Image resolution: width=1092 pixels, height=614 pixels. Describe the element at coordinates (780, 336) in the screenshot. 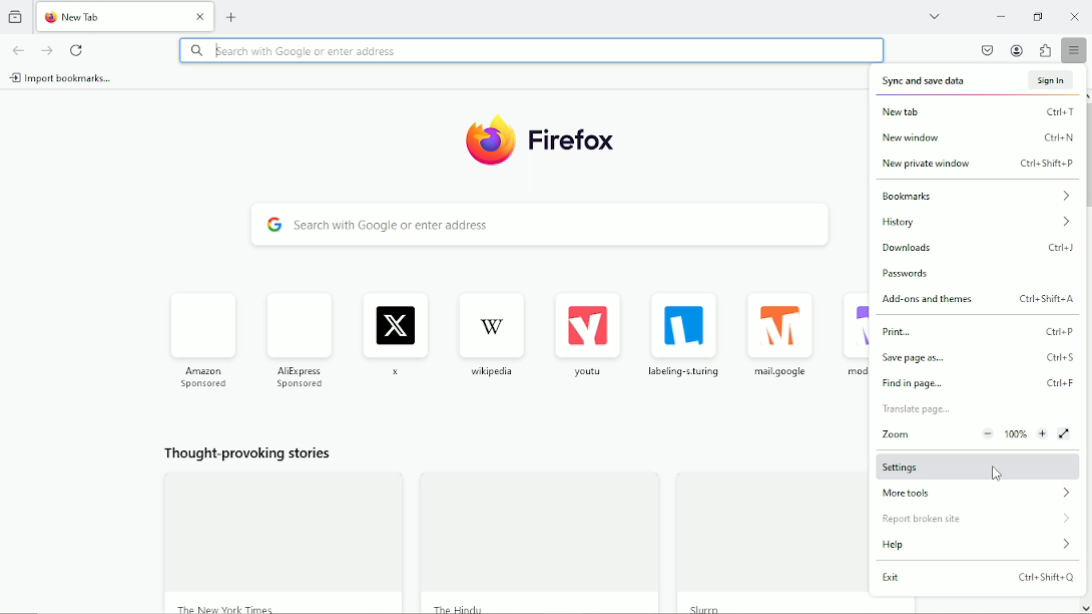

I see `mail.google` at that location.